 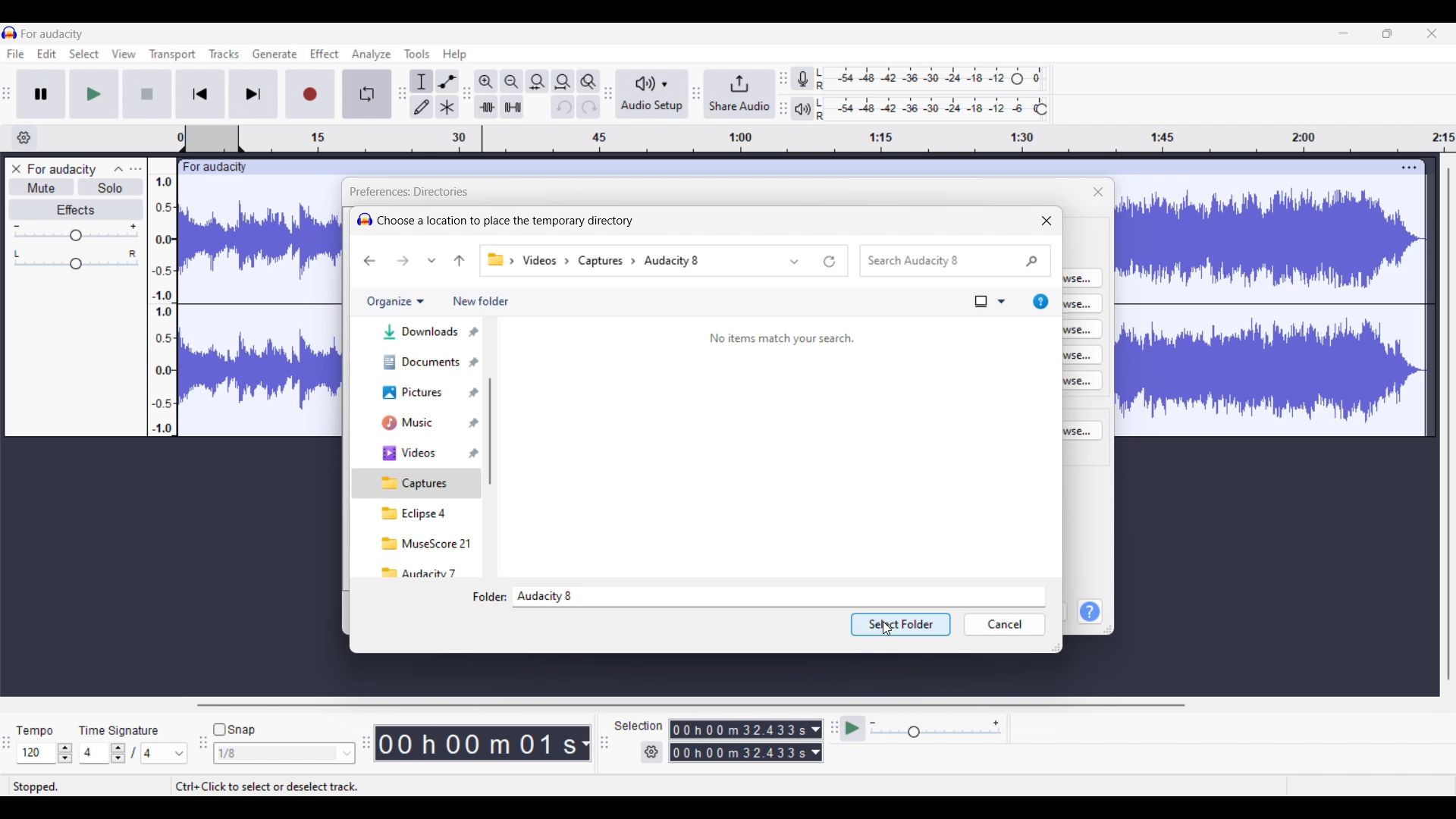 What do you see at coordinates (76, 231) in the screenshot?
I see `Volume scale` at bounding box center [76, 231].